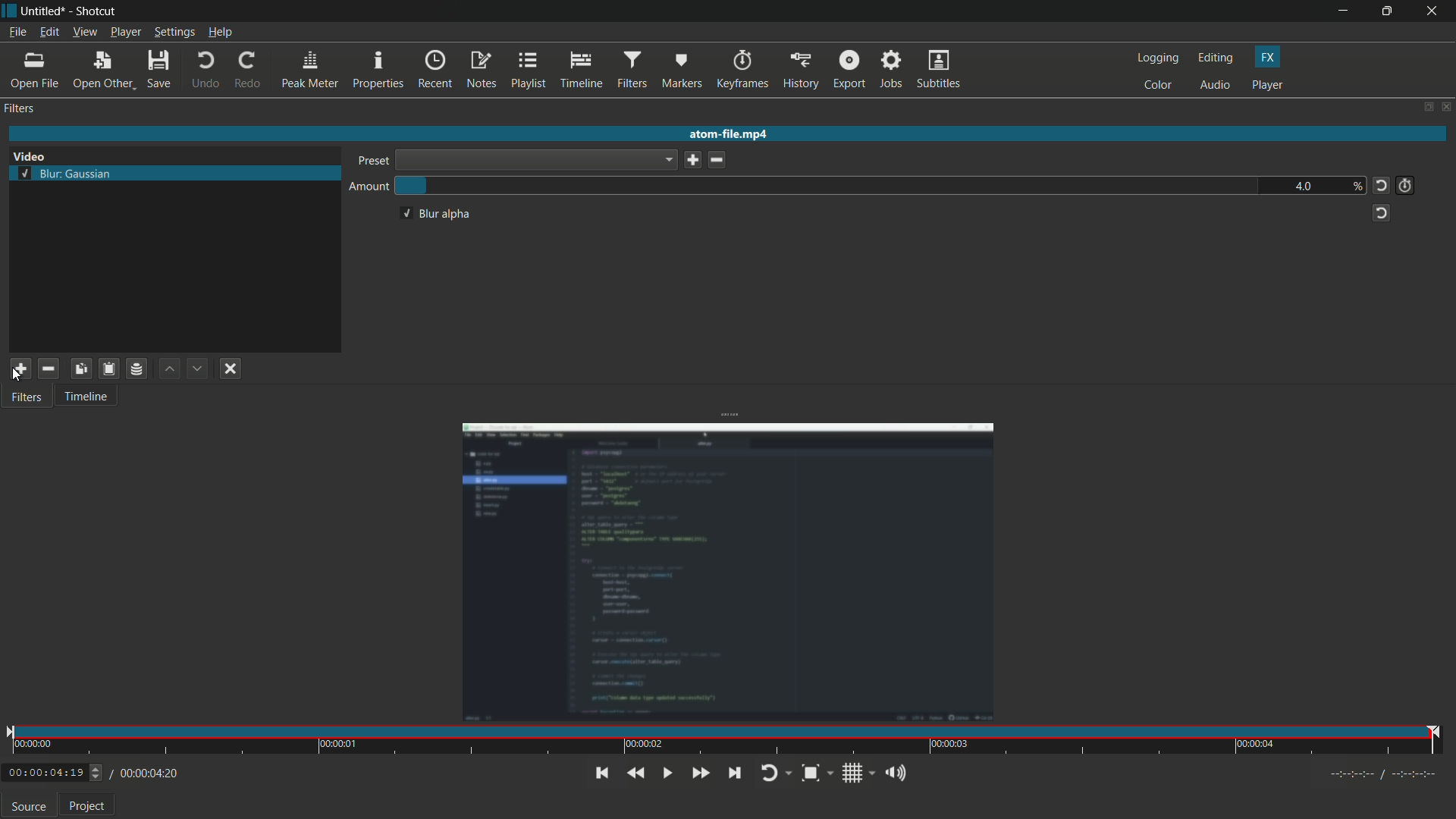 Image resolution: width=1456 pixels, height=819 pixels. Describe the element at coordinates (730, 573) in the screenshot. I see `blurred video` at that location.